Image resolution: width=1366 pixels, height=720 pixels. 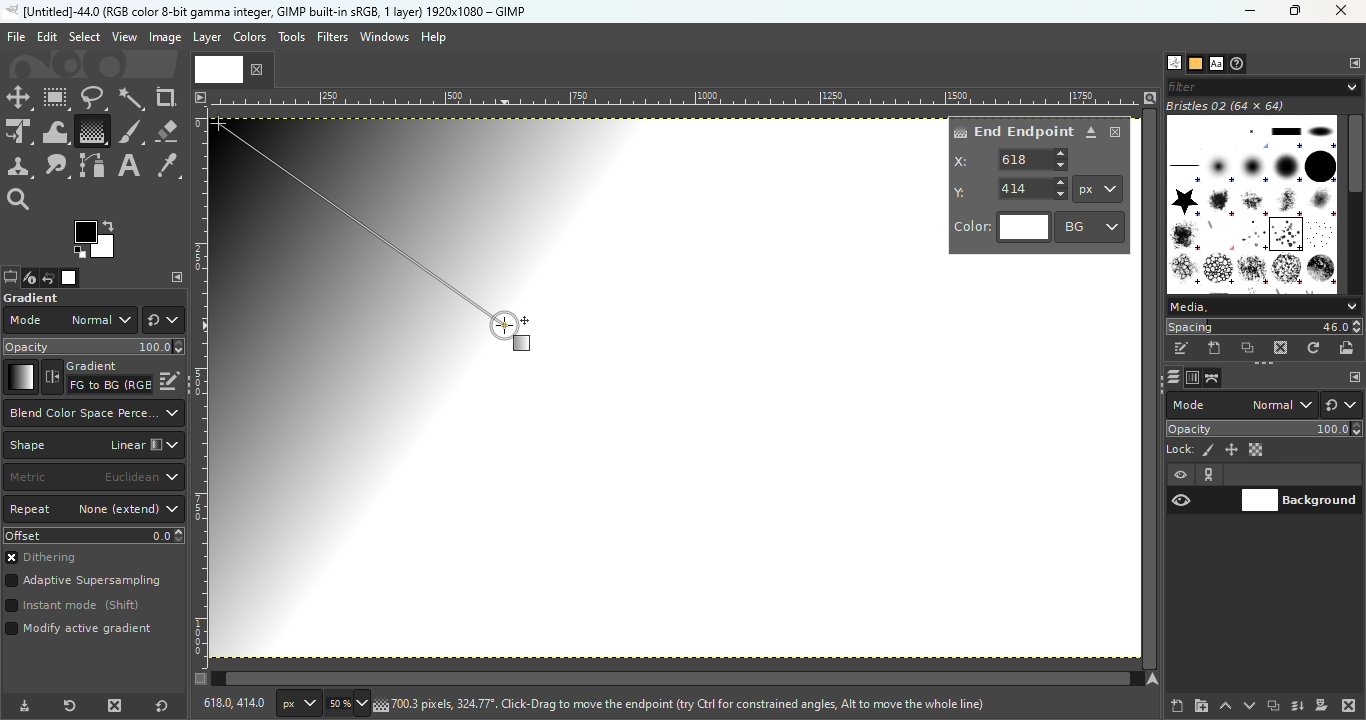 I want to click on Delete this brush, so click(x=1282, y=347).